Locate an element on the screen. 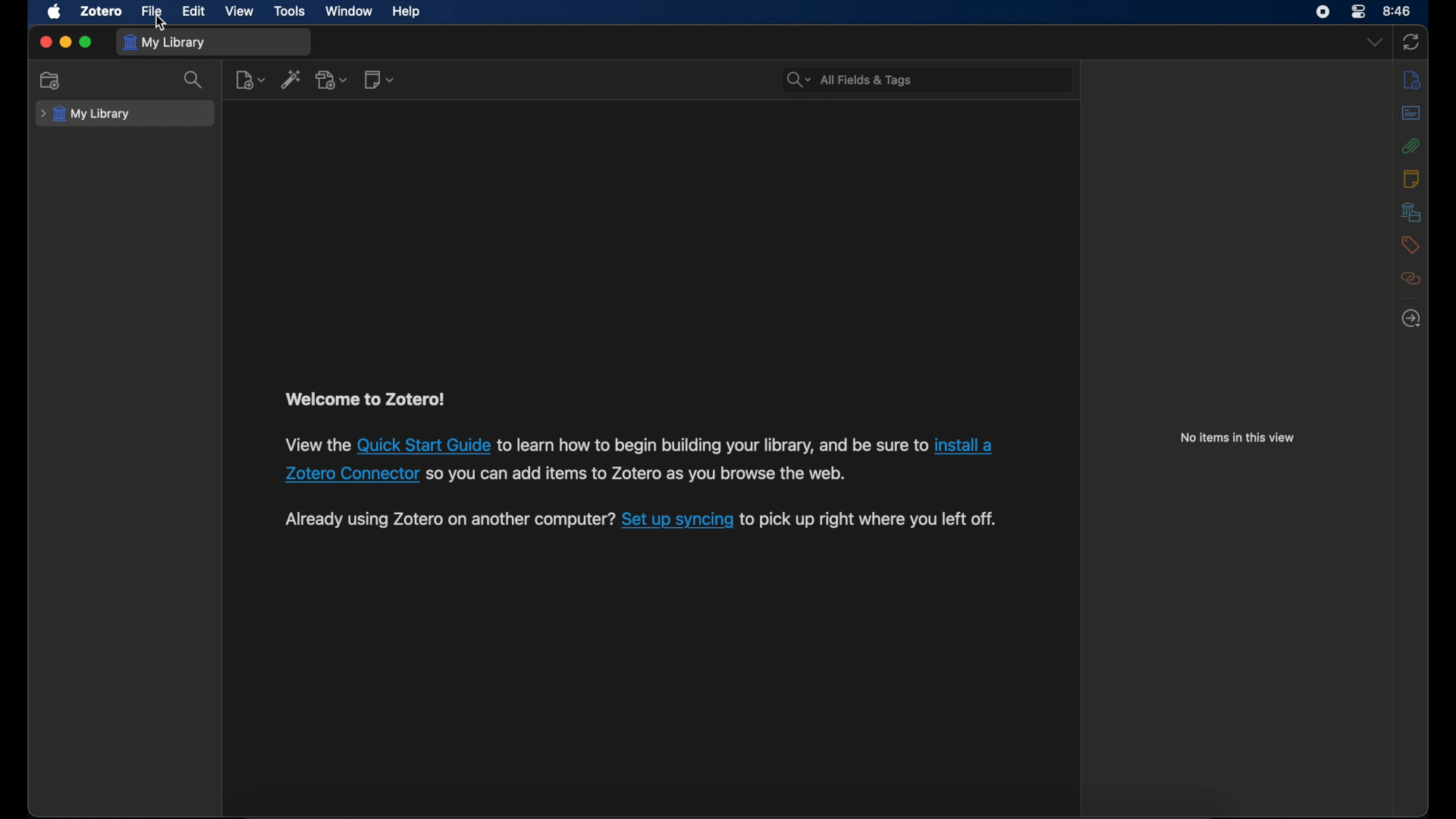 The height and width of the screenshot is (819, 1456). minimize is located at coordinates (65, 42).